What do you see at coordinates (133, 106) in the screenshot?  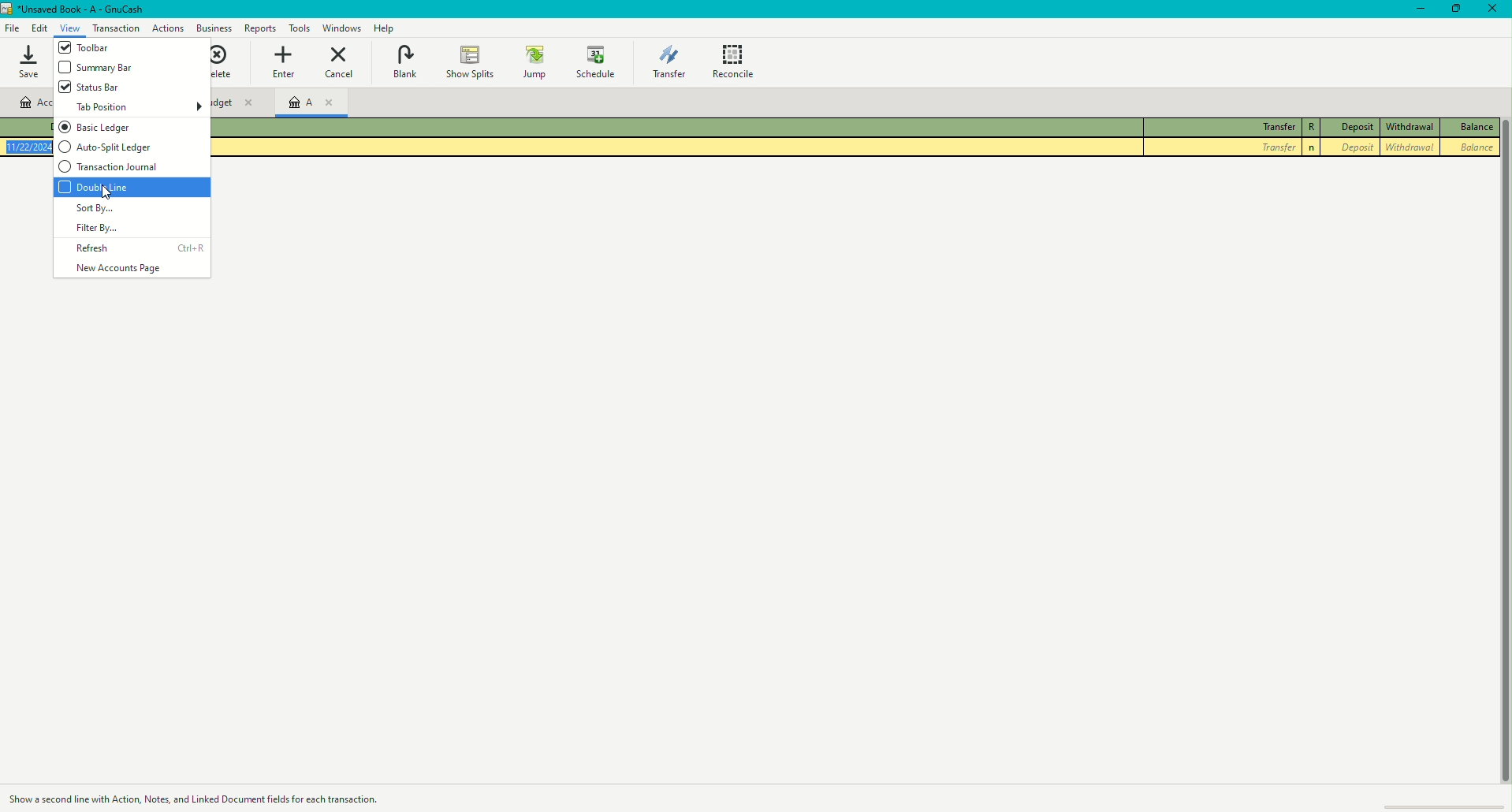 I see `Tab Position` at bounding box center [133, 106].